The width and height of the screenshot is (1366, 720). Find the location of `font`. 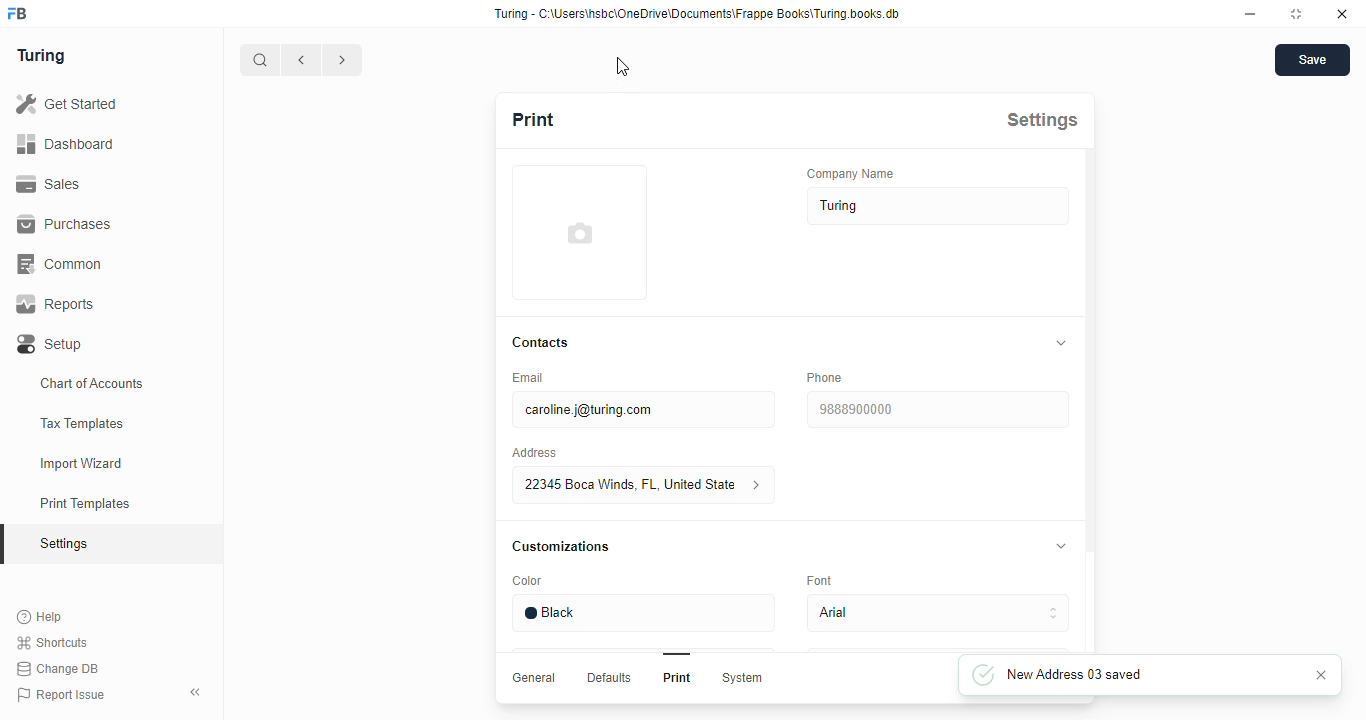

font is located at coordinates (819, 580).